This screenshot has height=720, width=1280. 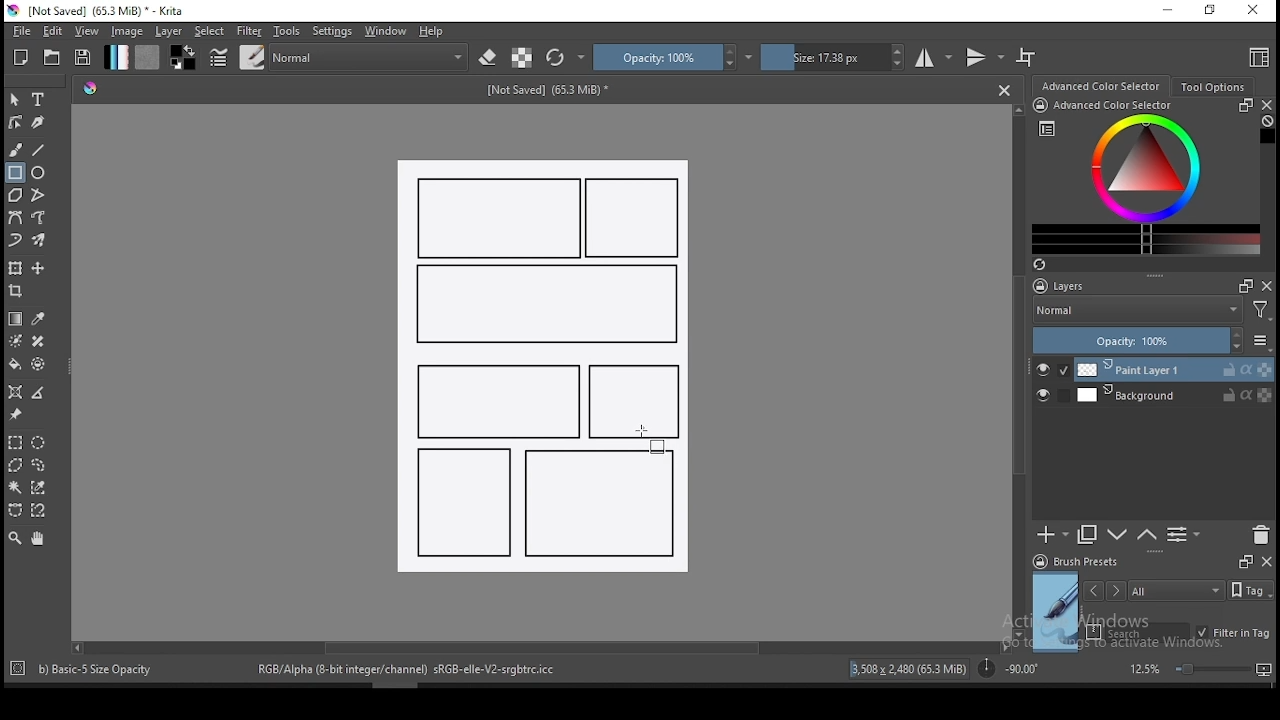 I want to click on wrap around mode, so click(x=1027, y=57).